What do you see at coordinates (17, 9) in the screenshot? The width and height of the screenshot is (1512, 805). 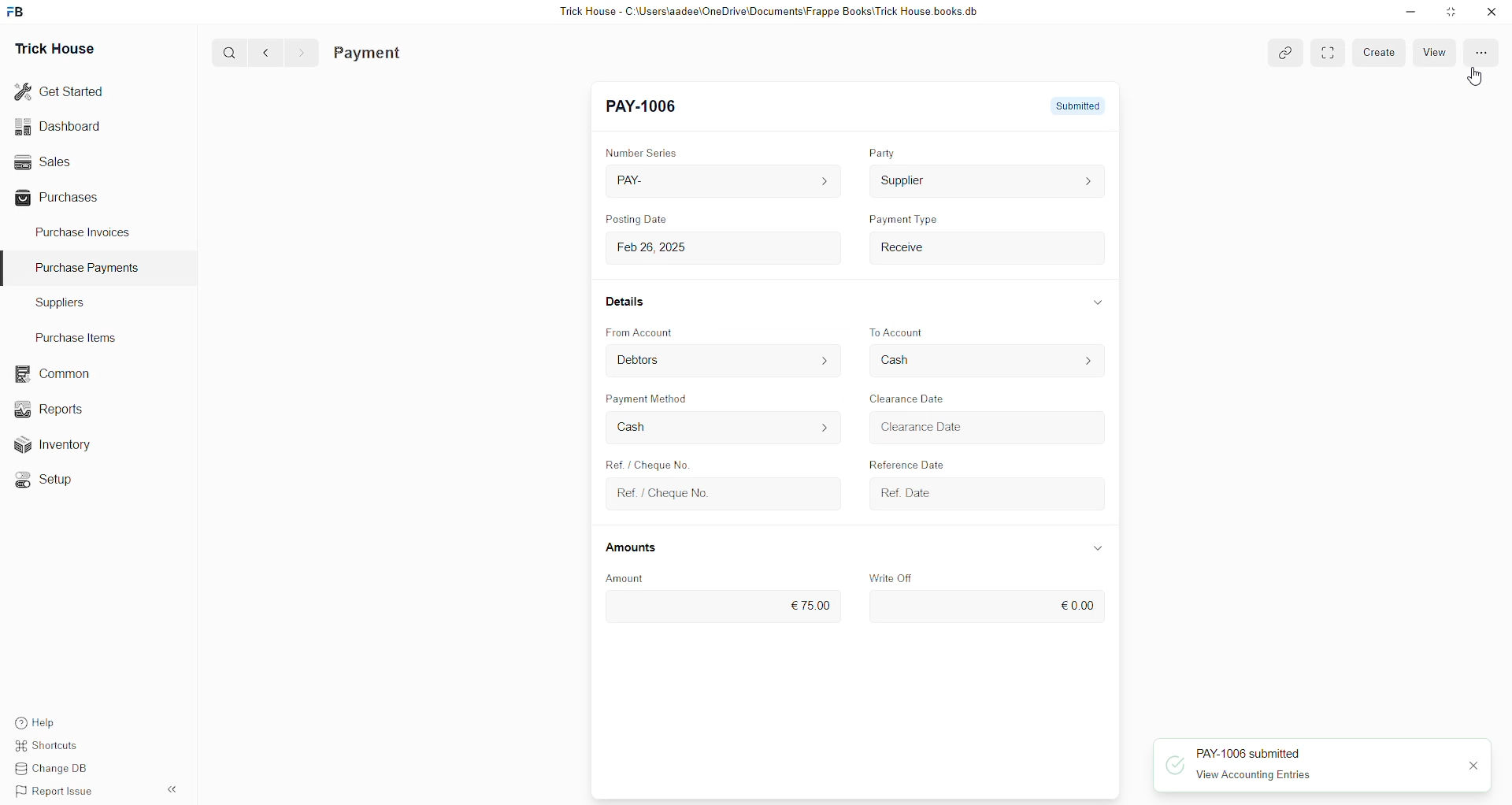 I see `frappebooks logo` at bounding box center [17, 9].